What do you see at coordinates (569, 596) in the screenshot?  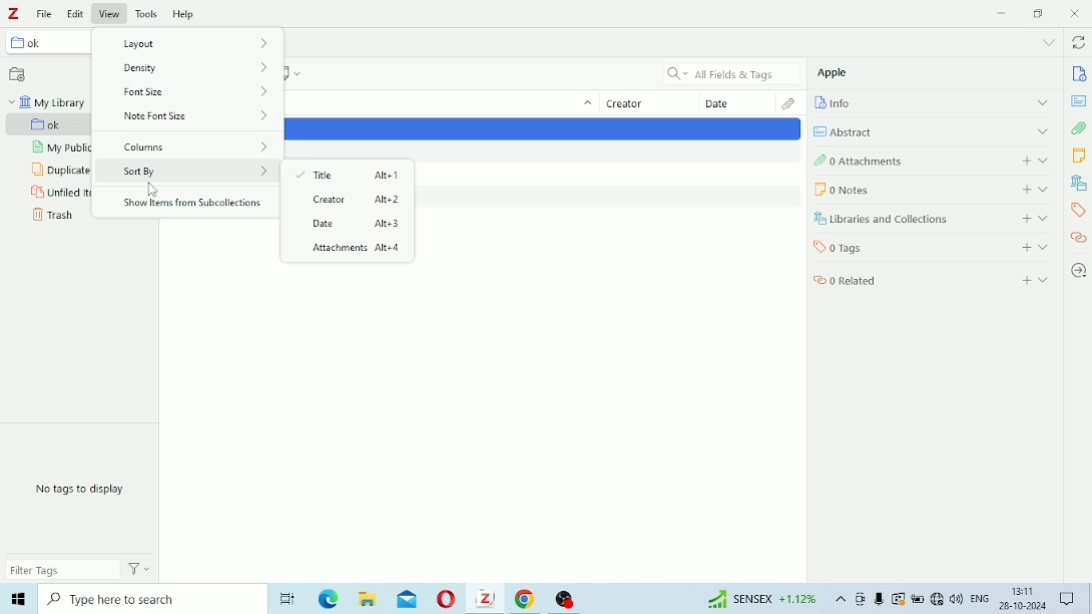 I see `App` at bounding box center [569, 596].